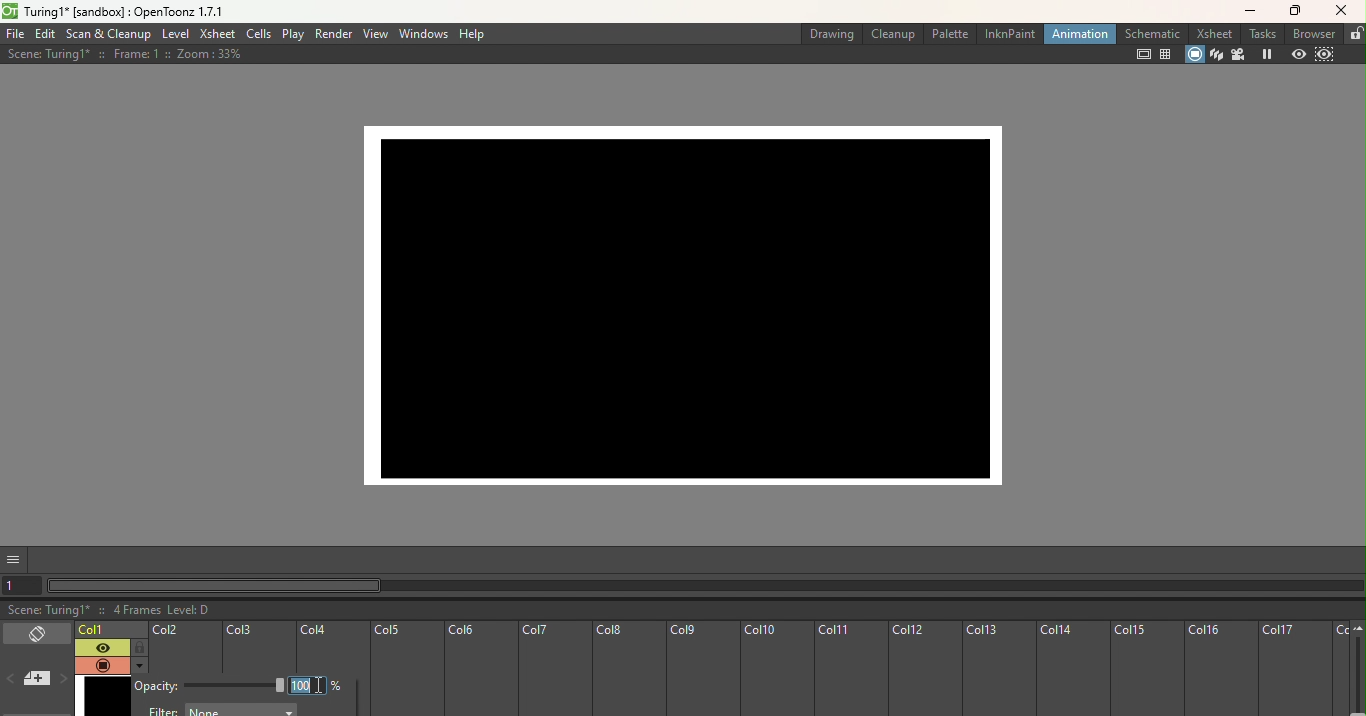 This screenshot has width=1366, height=716. Describe the element at coordinates (125, 54) in the screenshot. I see `Scene: Turing1* :: Frame: 1 :: Zoom: 33%` at that location.